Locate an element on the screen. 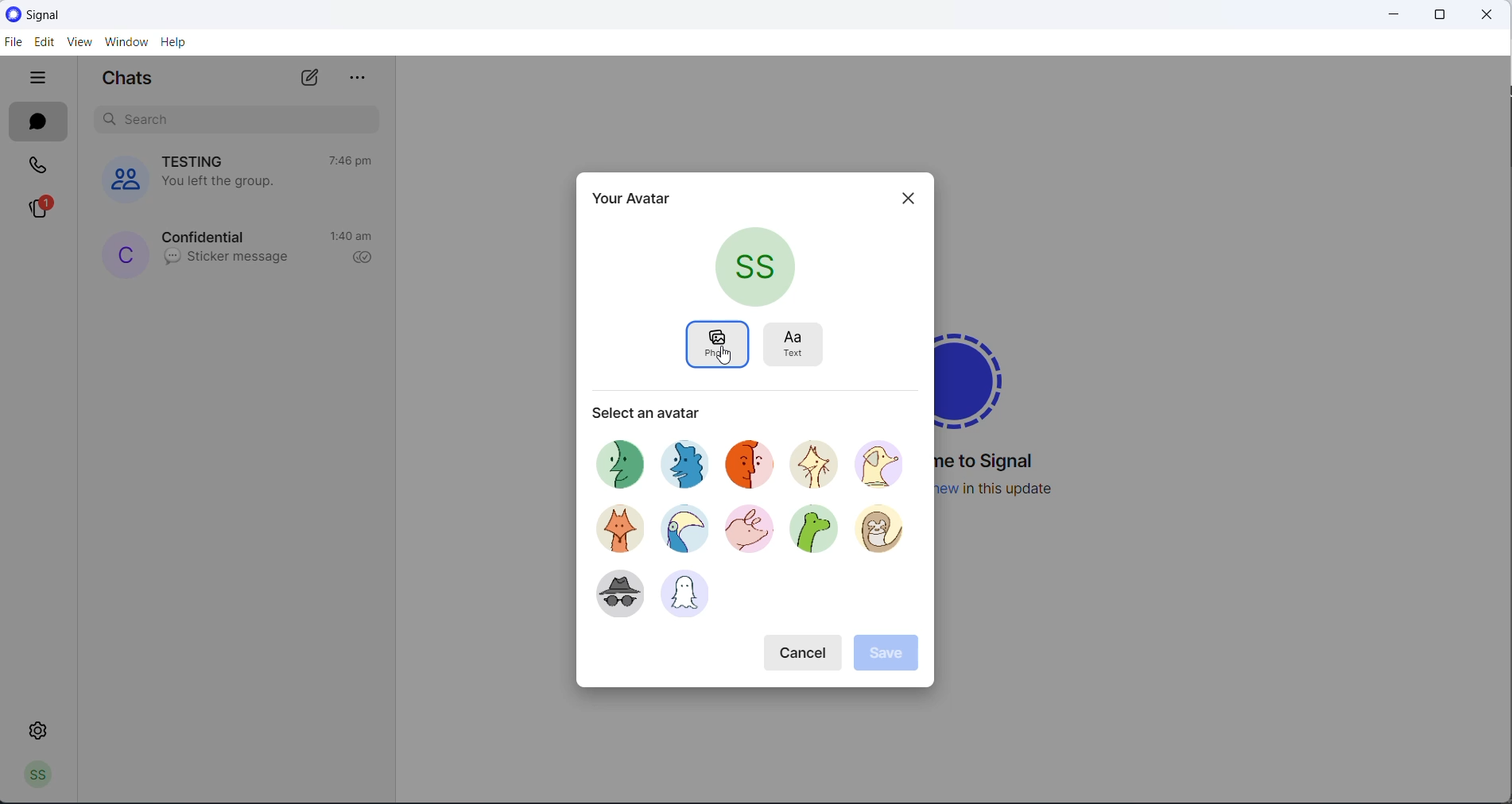 This screenshot has width=1512, height=804. close is located at coordinates (903, 199).